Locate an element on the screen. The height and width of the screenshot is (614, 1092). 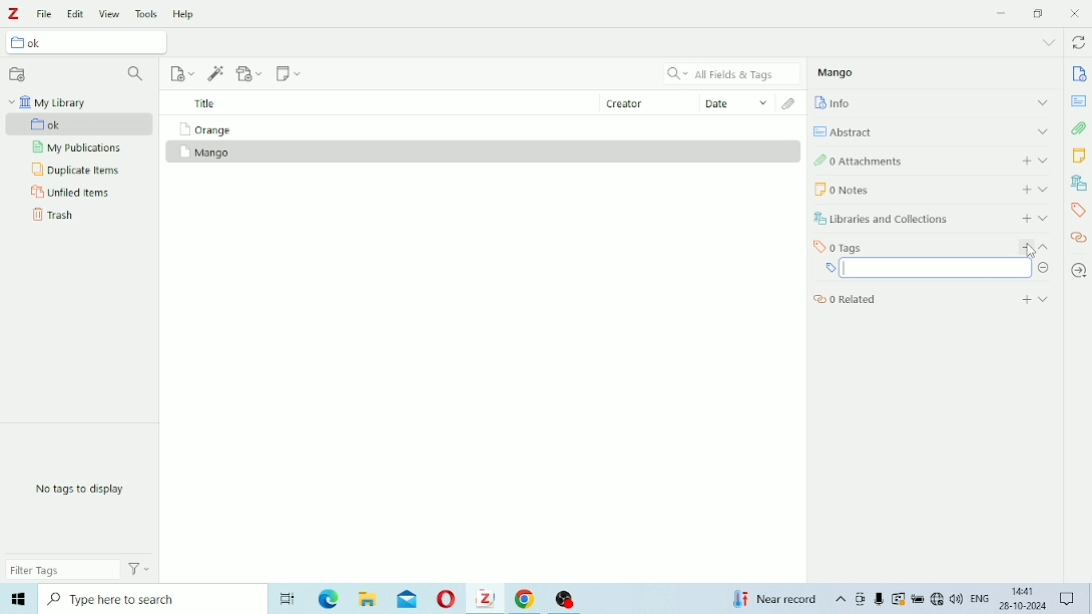
Filter Tags is located at coordinates (59, 570).